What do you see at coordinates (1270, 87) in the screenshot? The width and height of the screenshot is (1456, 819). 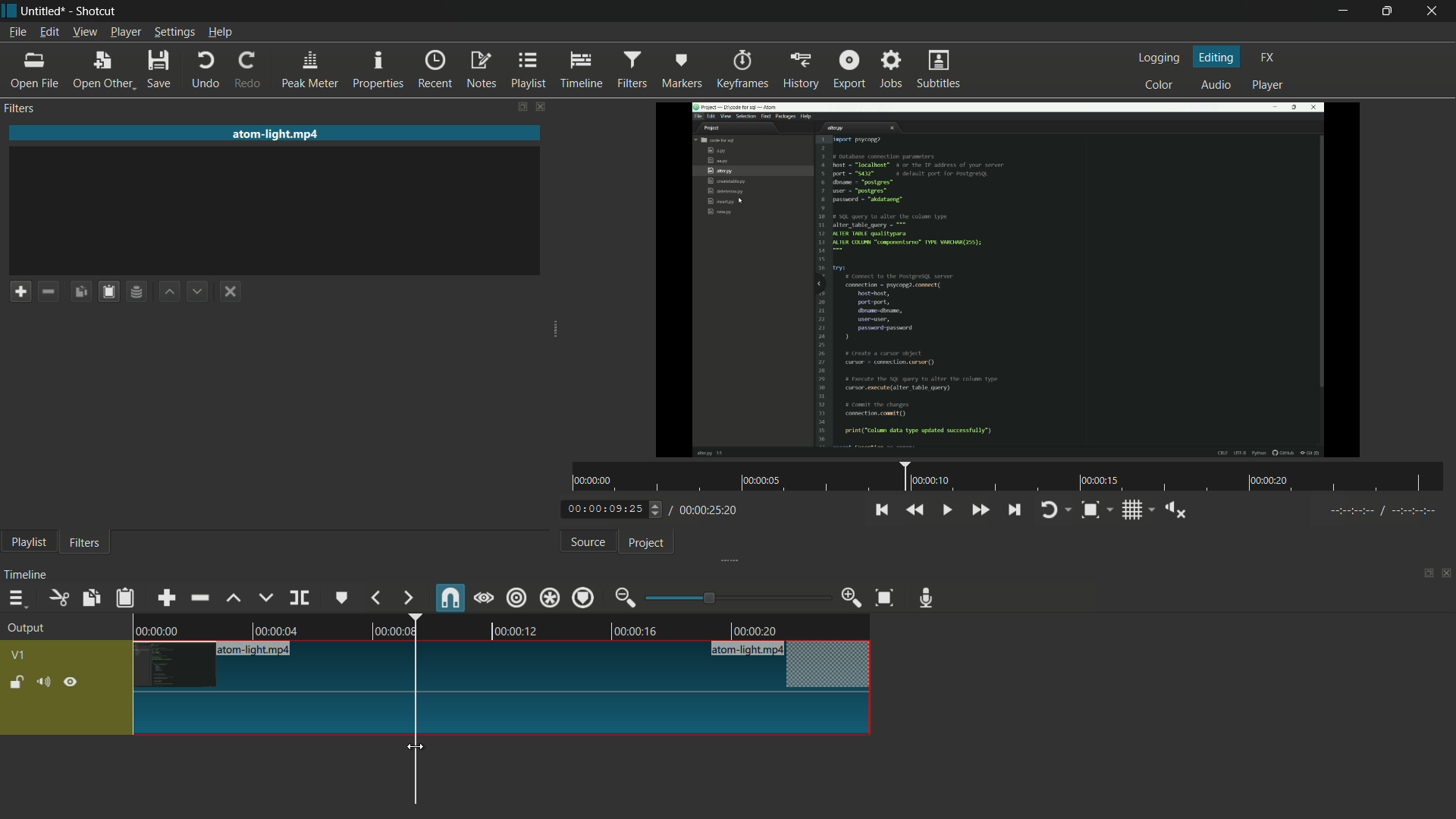 I see `player` at bounding box center [1270, 87].